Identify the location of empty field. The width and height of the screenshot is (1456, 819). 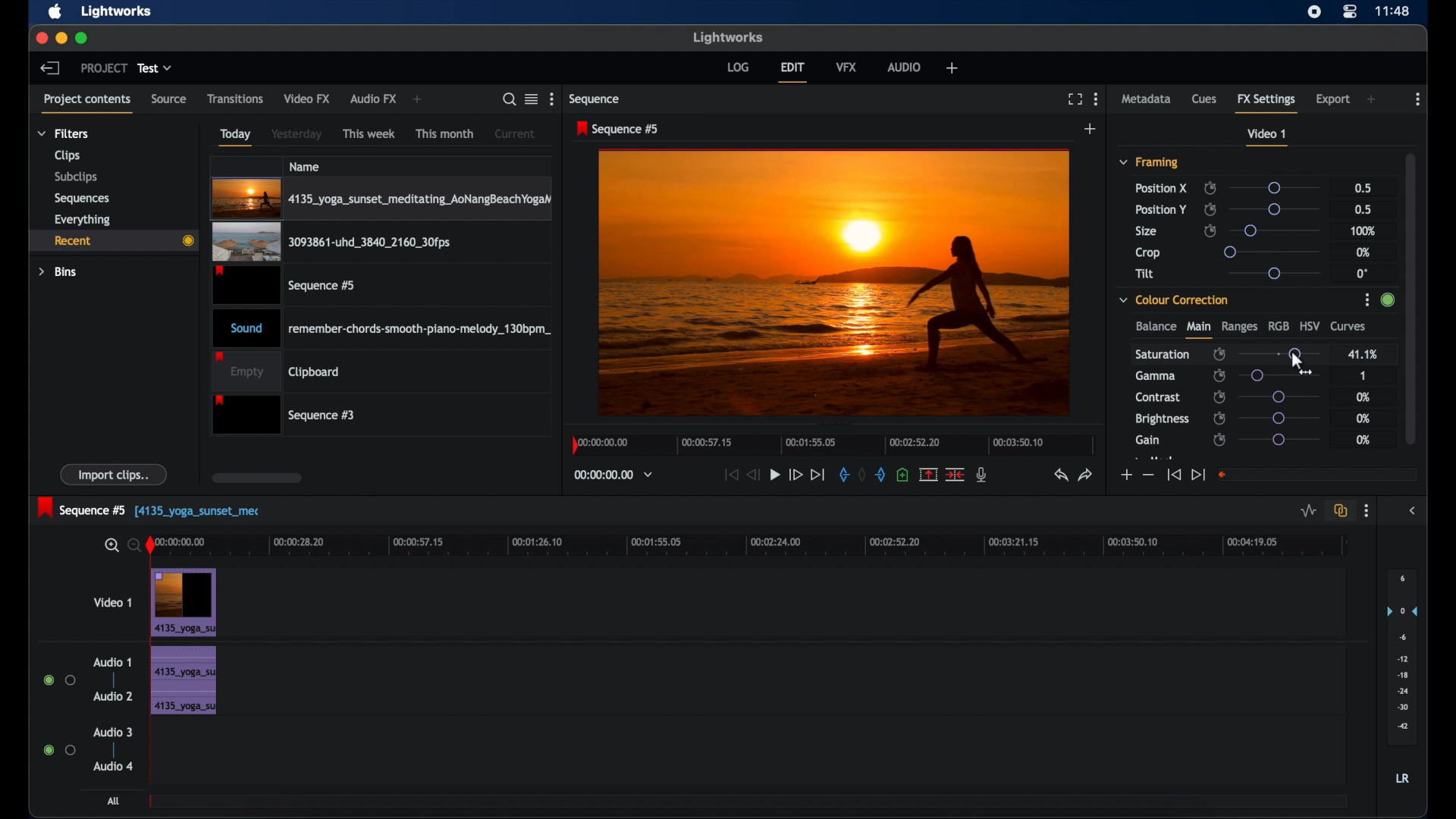
(1318, 474).